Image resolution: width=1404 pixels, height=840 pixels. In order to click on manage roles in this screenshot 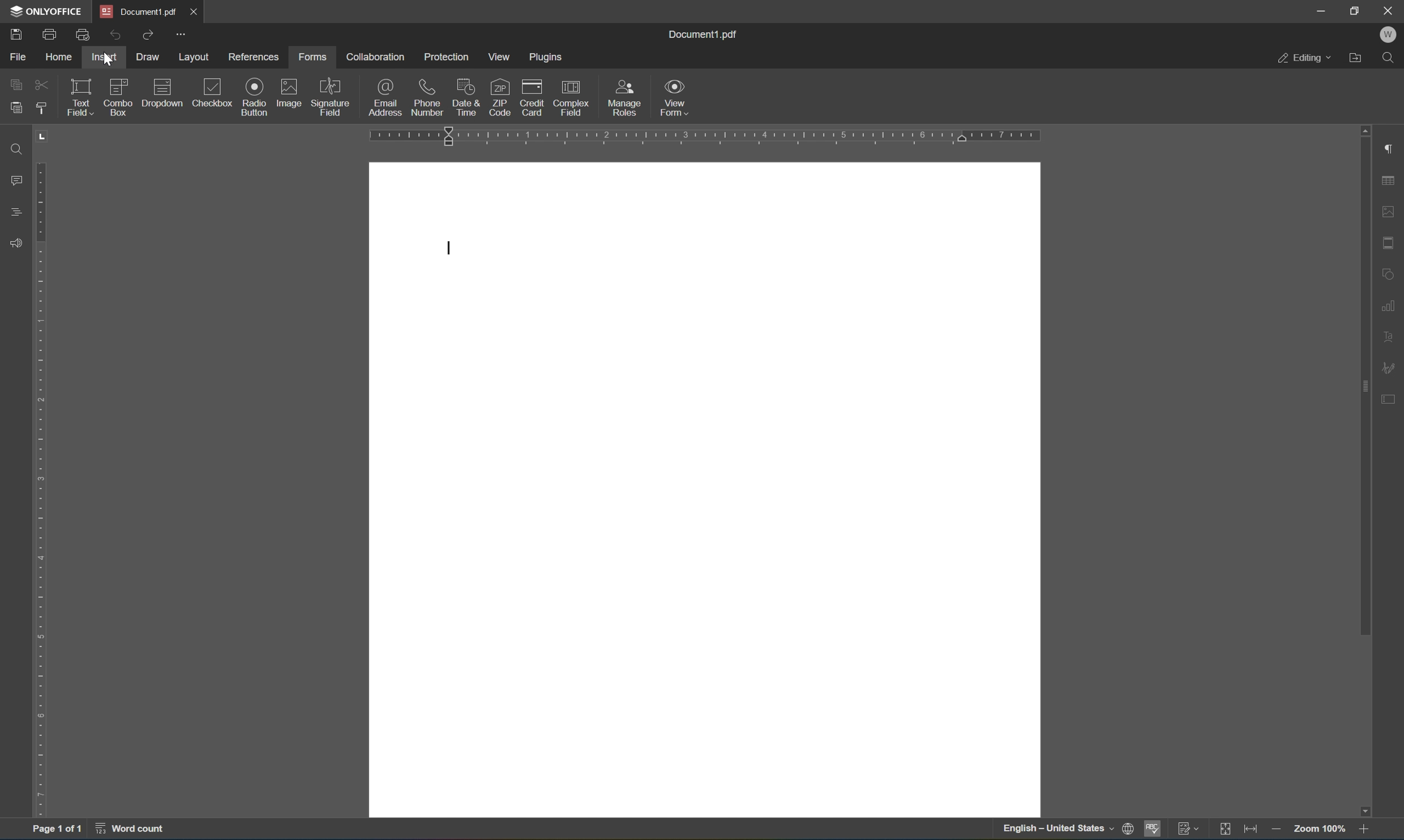, I will do `click(623, 98)`.